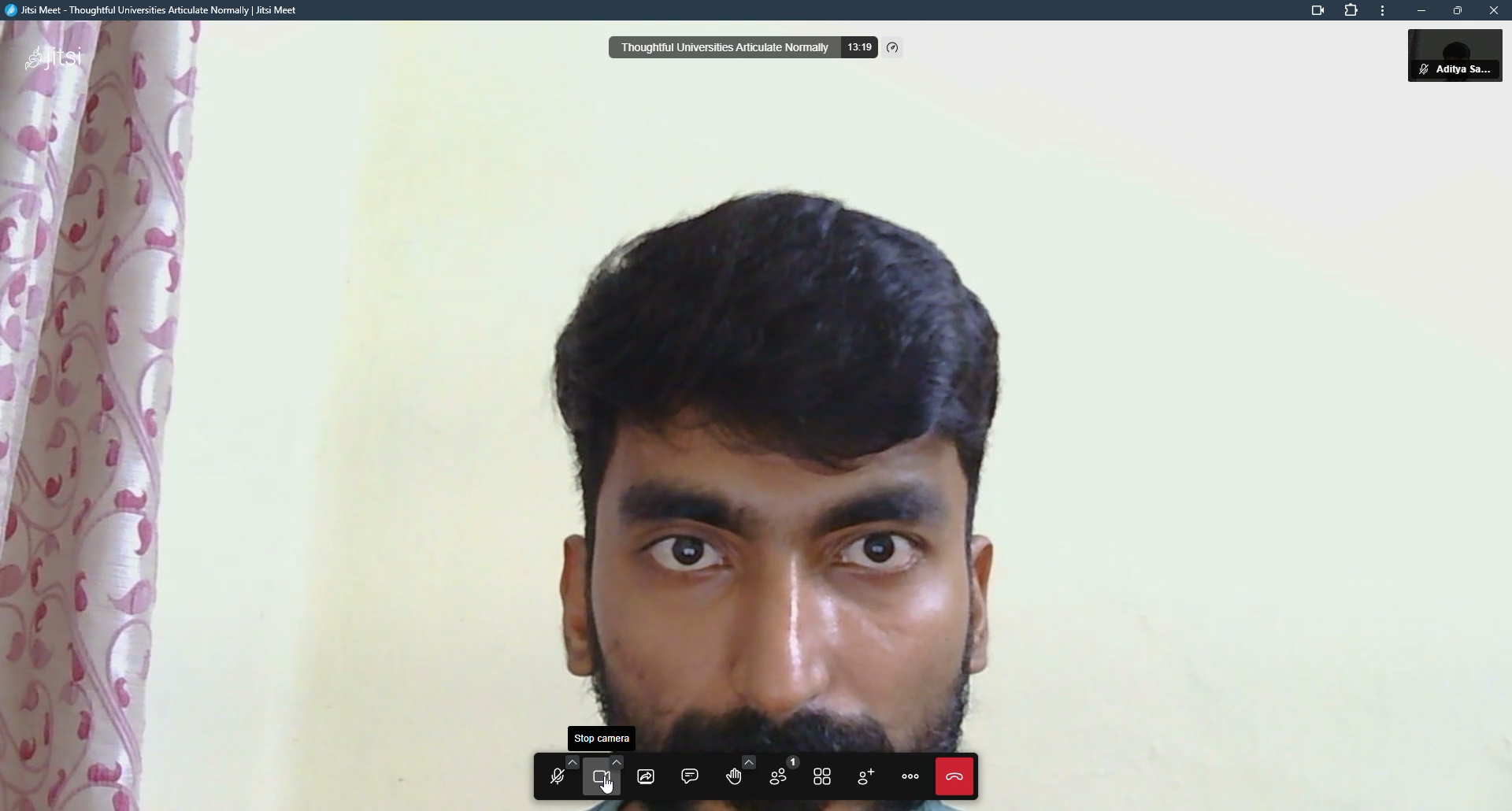  Describe the element at coordinates (724, 48) in the screenshot. I see `thoughtful universities articulate normally` at that location.